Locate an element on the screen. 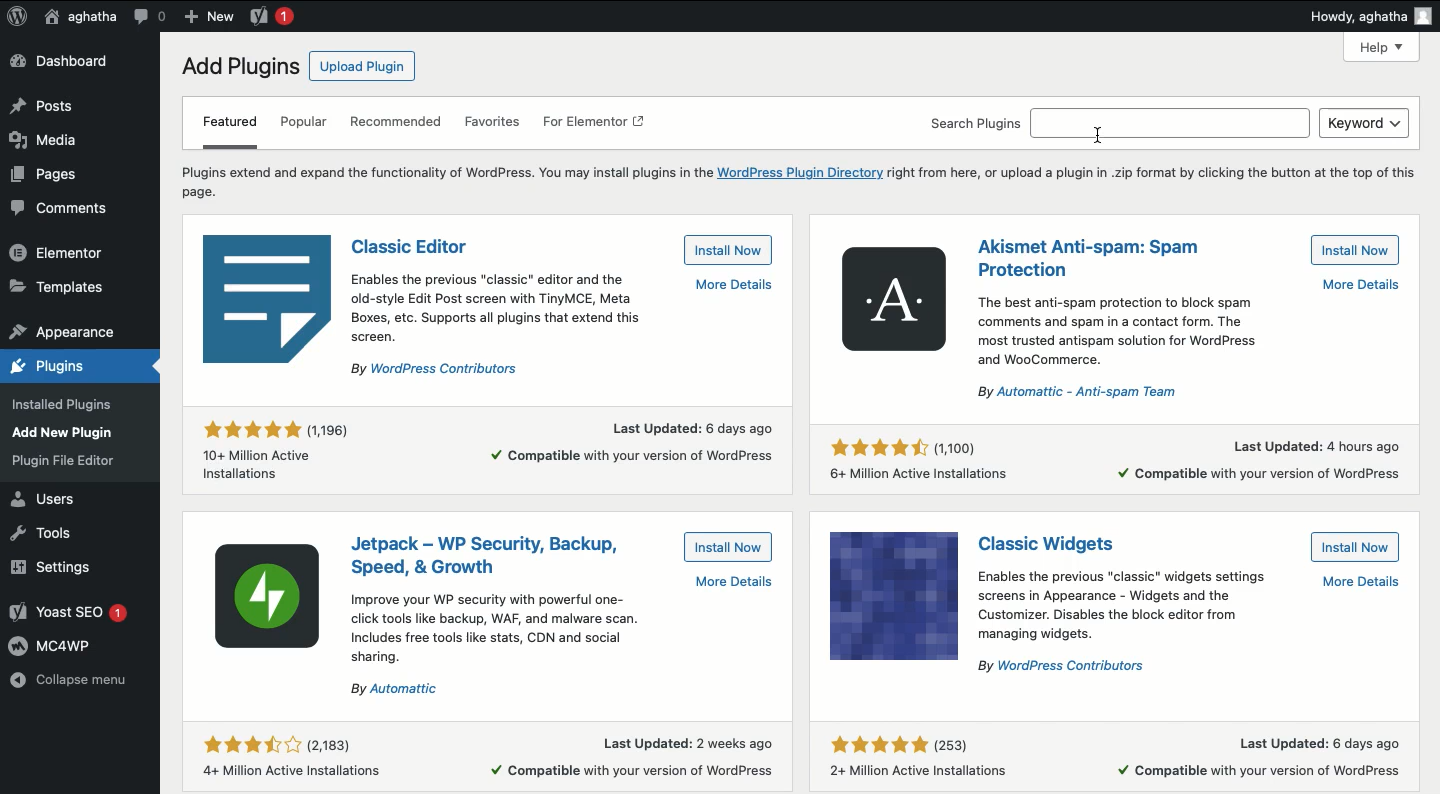 This screenshot has height=794, width=1440. Upload plugin is located at coordinates (360, 66).